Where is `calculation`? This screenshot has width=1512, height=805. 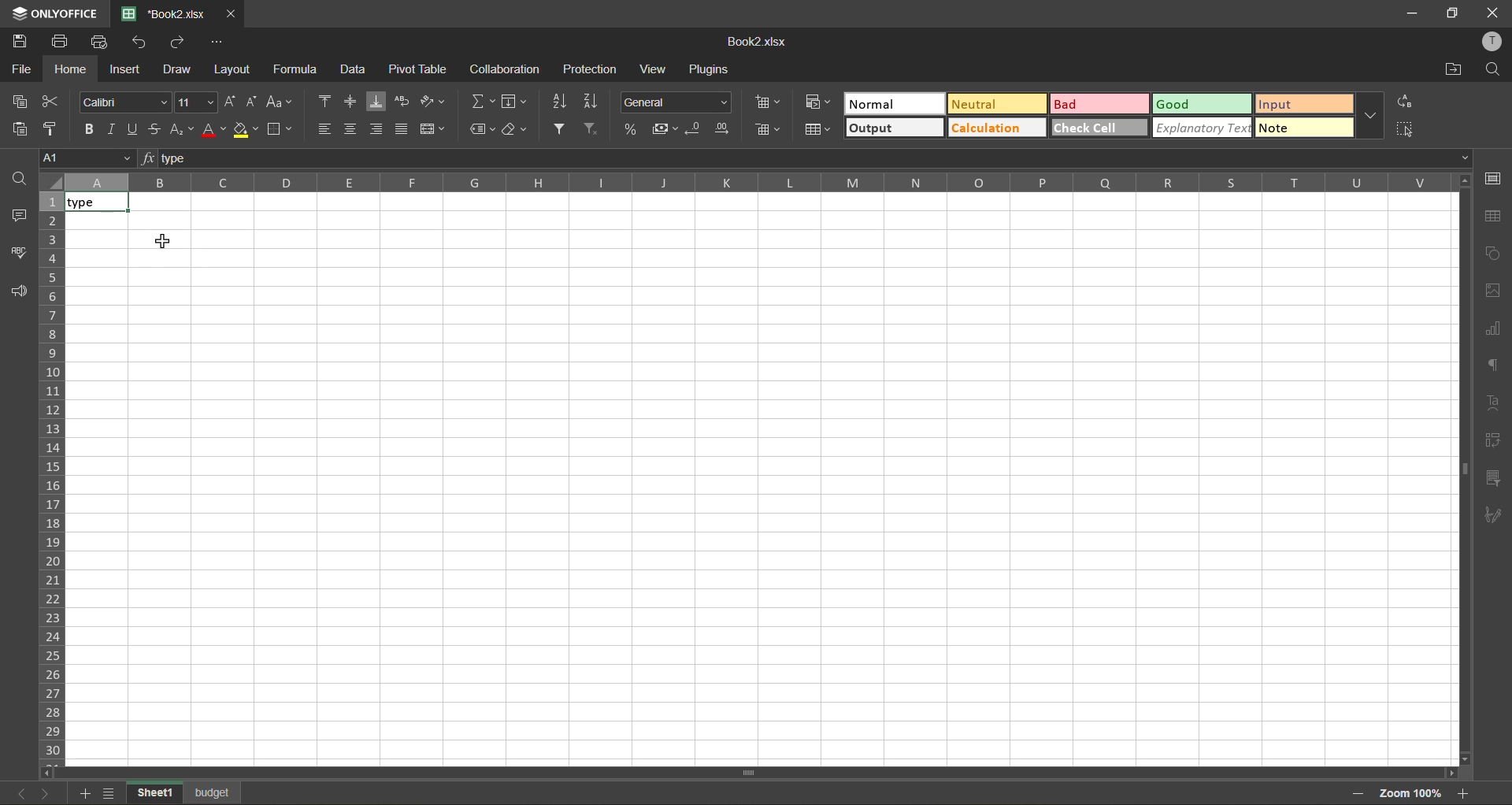 calculation is located at coordinates (994, 128).